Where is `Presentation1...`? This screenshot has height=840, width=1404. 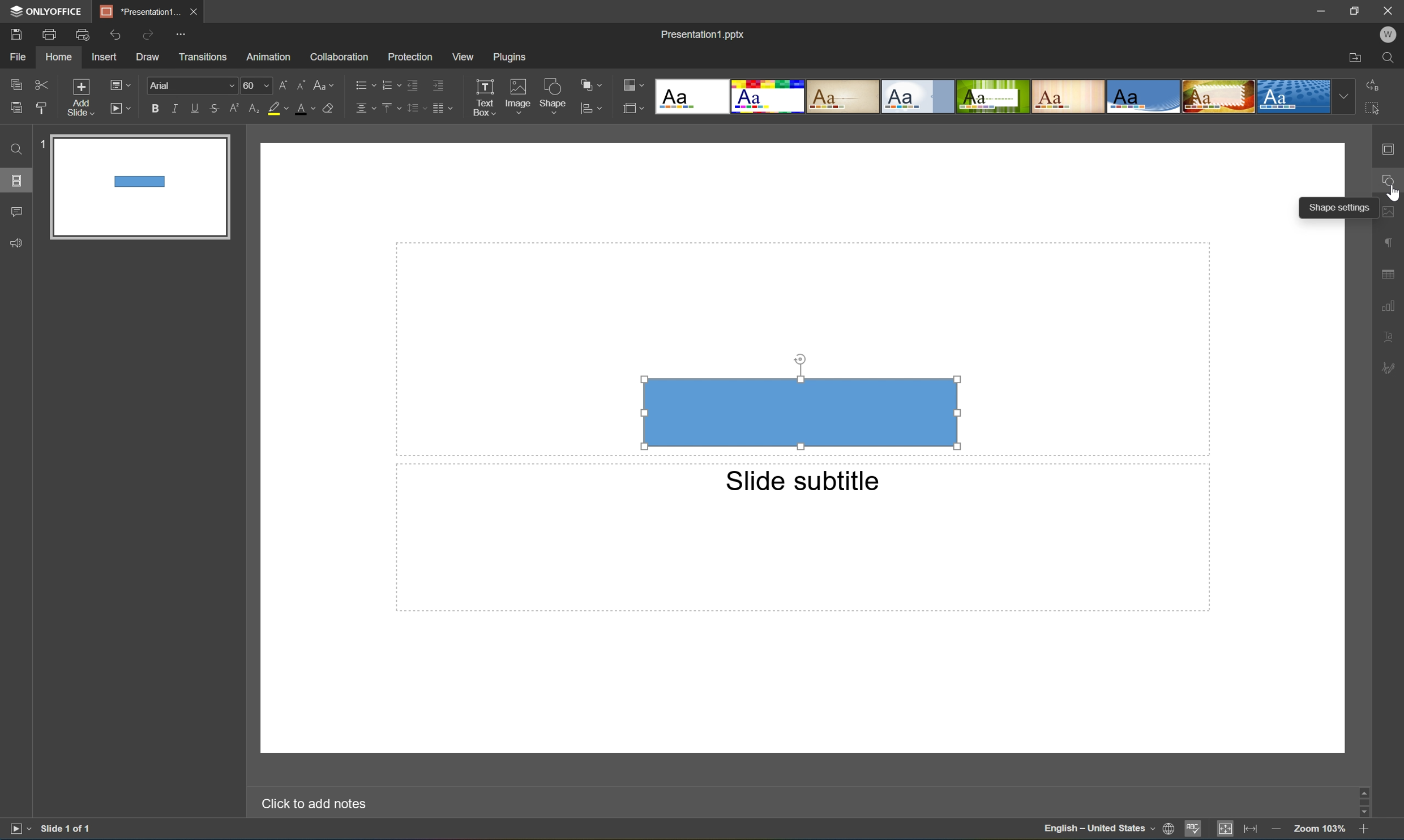 Presentation1... is located at coordinates (136, 11).